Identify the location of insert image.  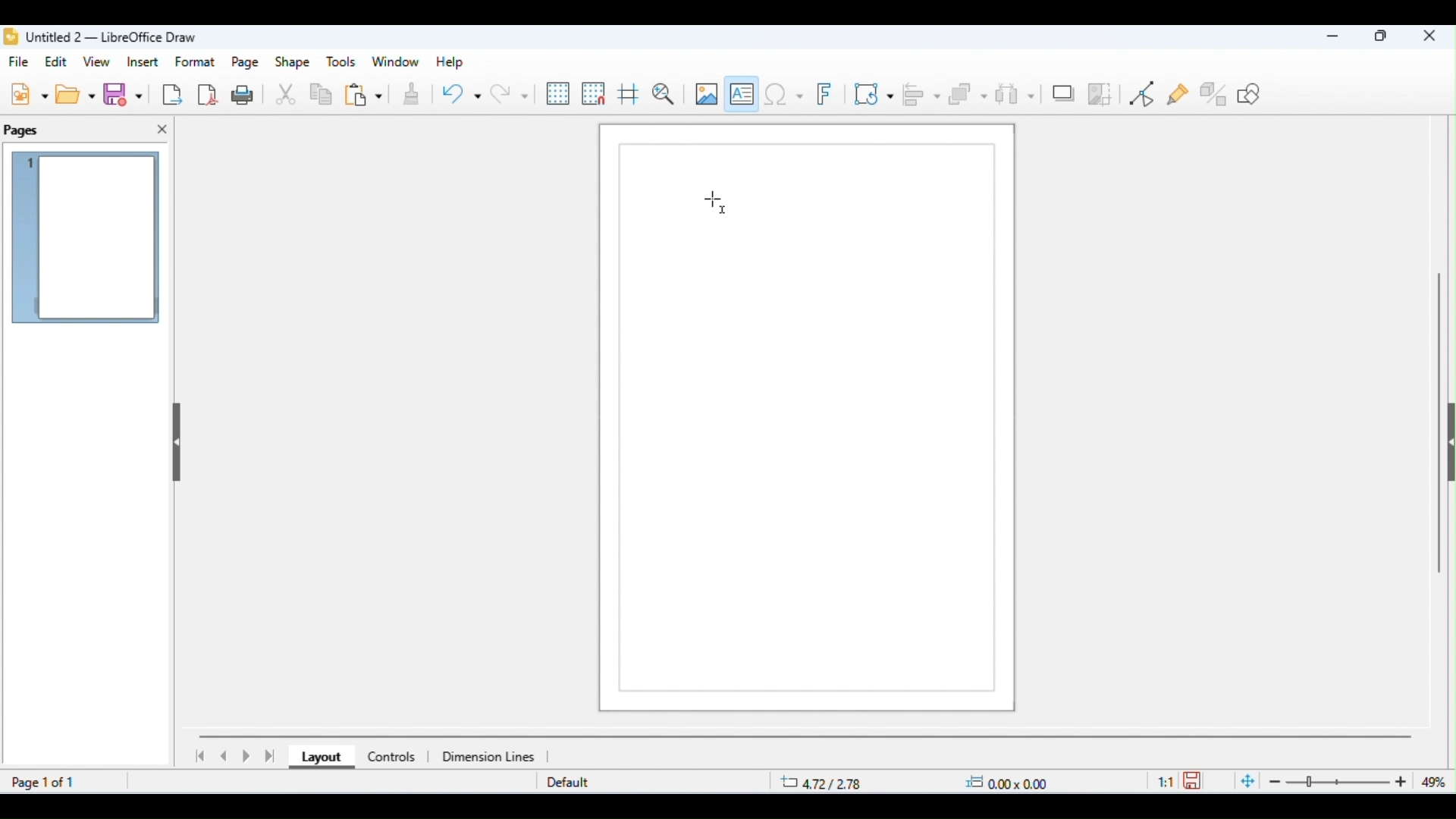
(705, 93).